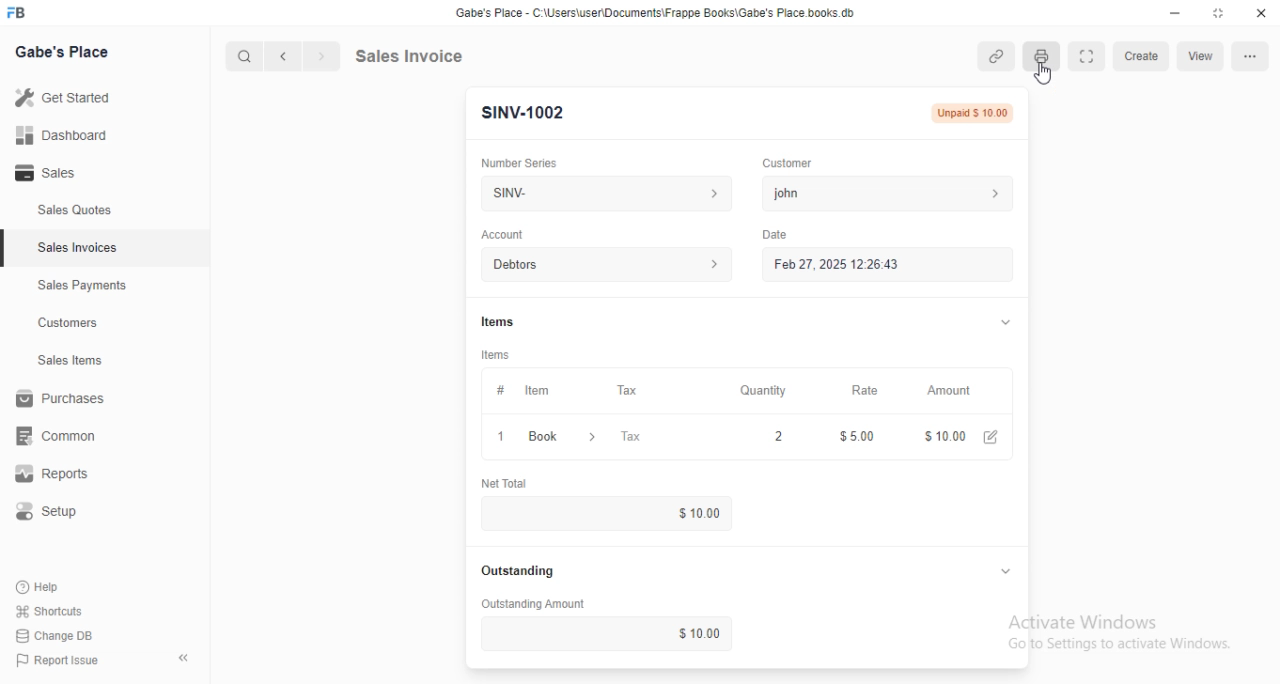 This screenshot has height=684, width=1280. Describe the element at coordinates (949, 391) in the screenshot. I see `amount` at that location.